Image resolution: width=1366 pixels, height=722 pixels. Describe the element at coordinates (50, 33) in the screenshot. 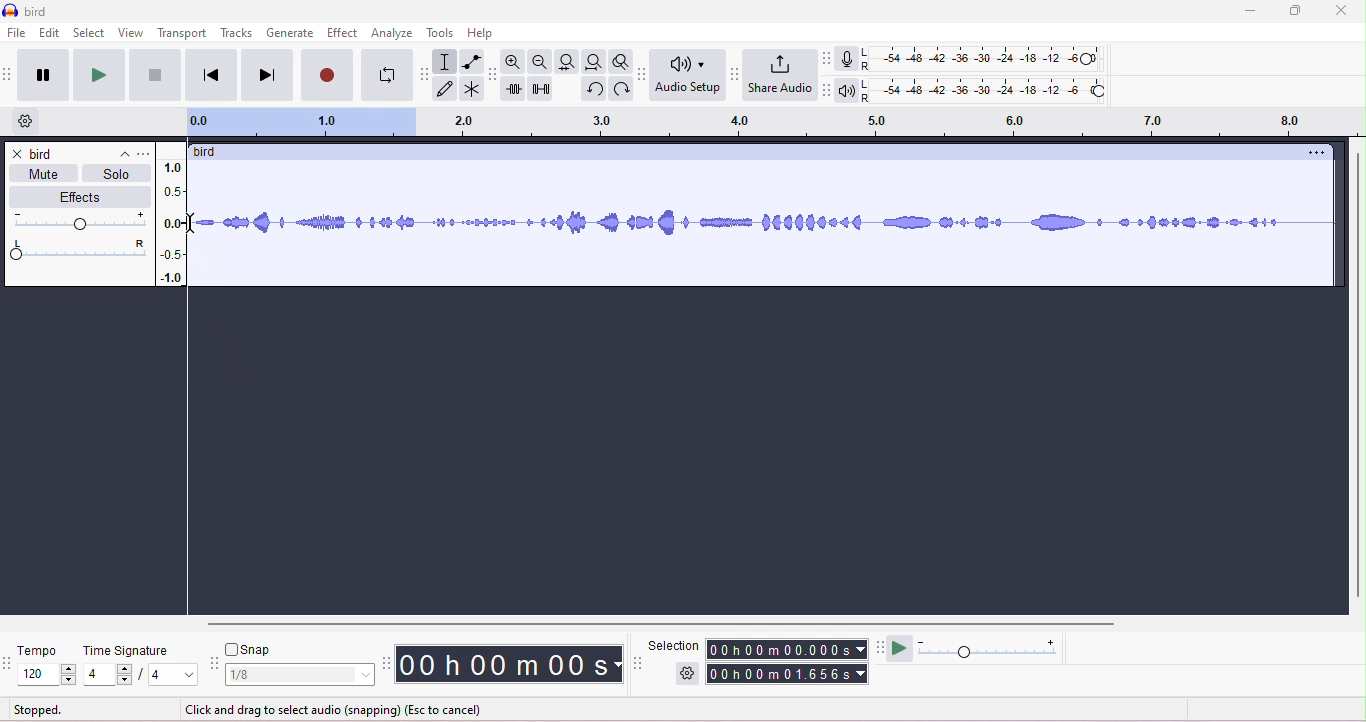

I see `edit` at that location.